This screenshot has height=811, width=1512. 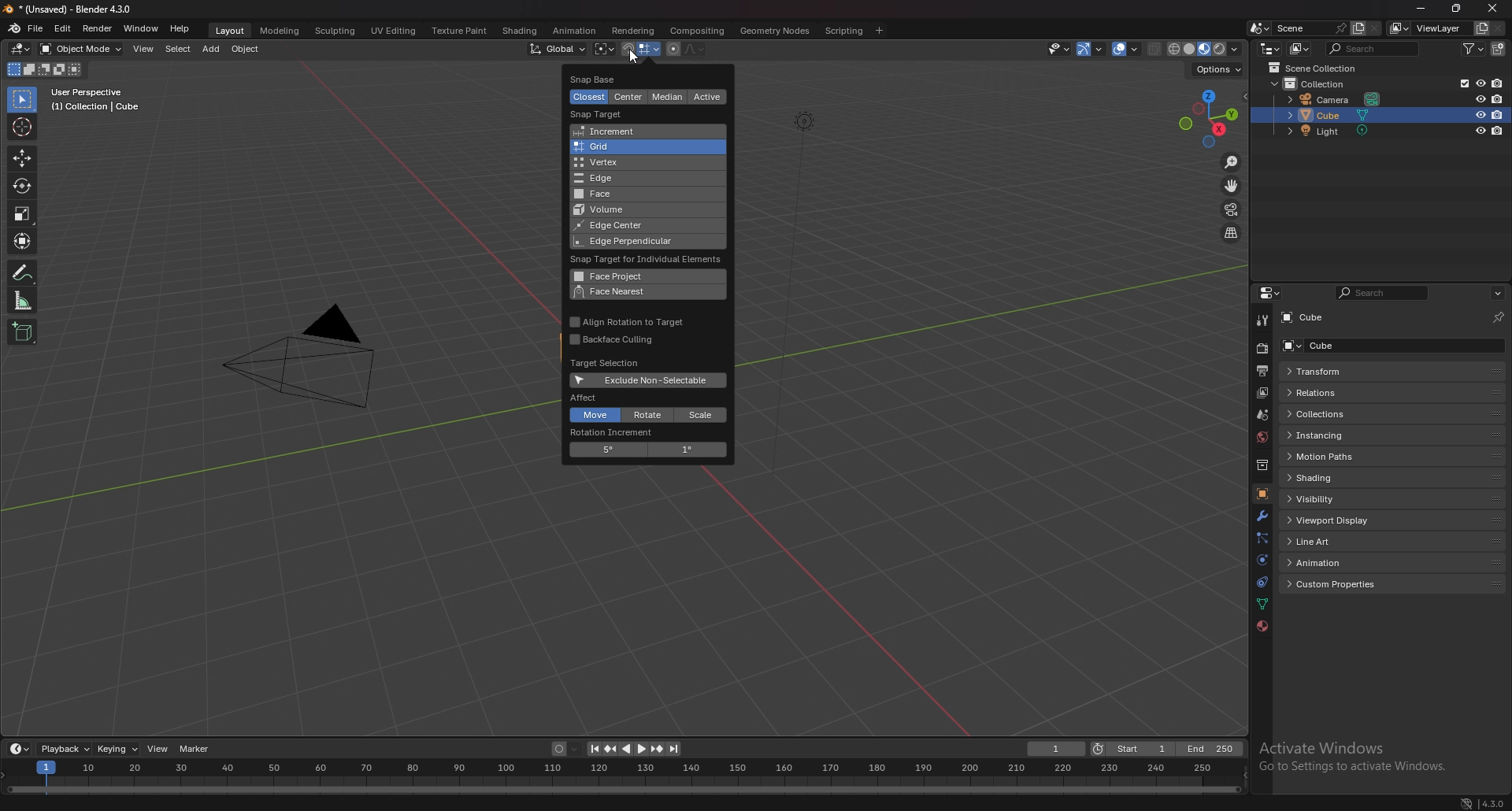 What do you see at coordinates (1261, 320) in the screenshot?
I see `tool` at bounding box center [1261, 320].